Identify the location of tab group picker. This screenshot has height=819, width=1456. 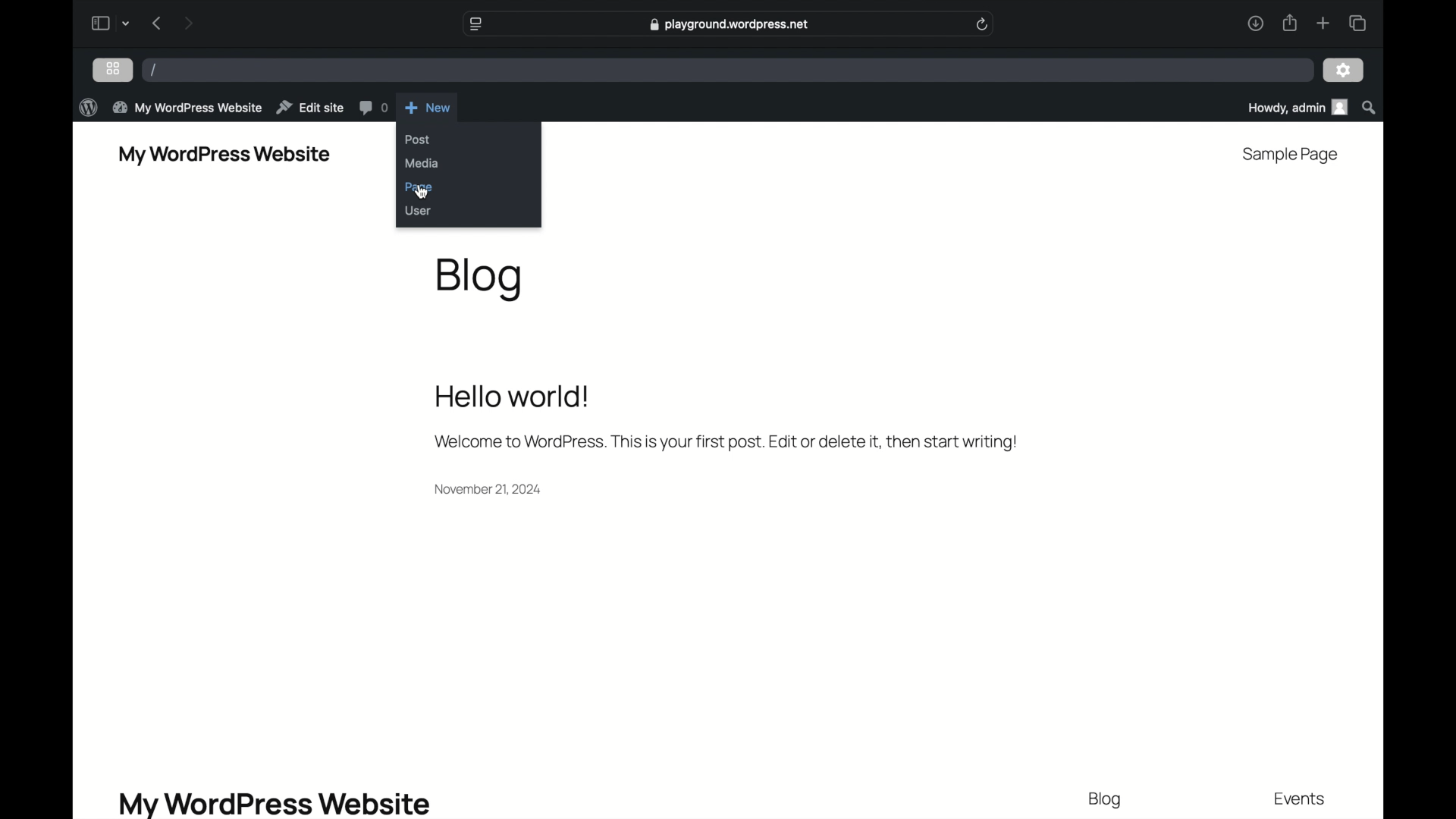
(126, 24).